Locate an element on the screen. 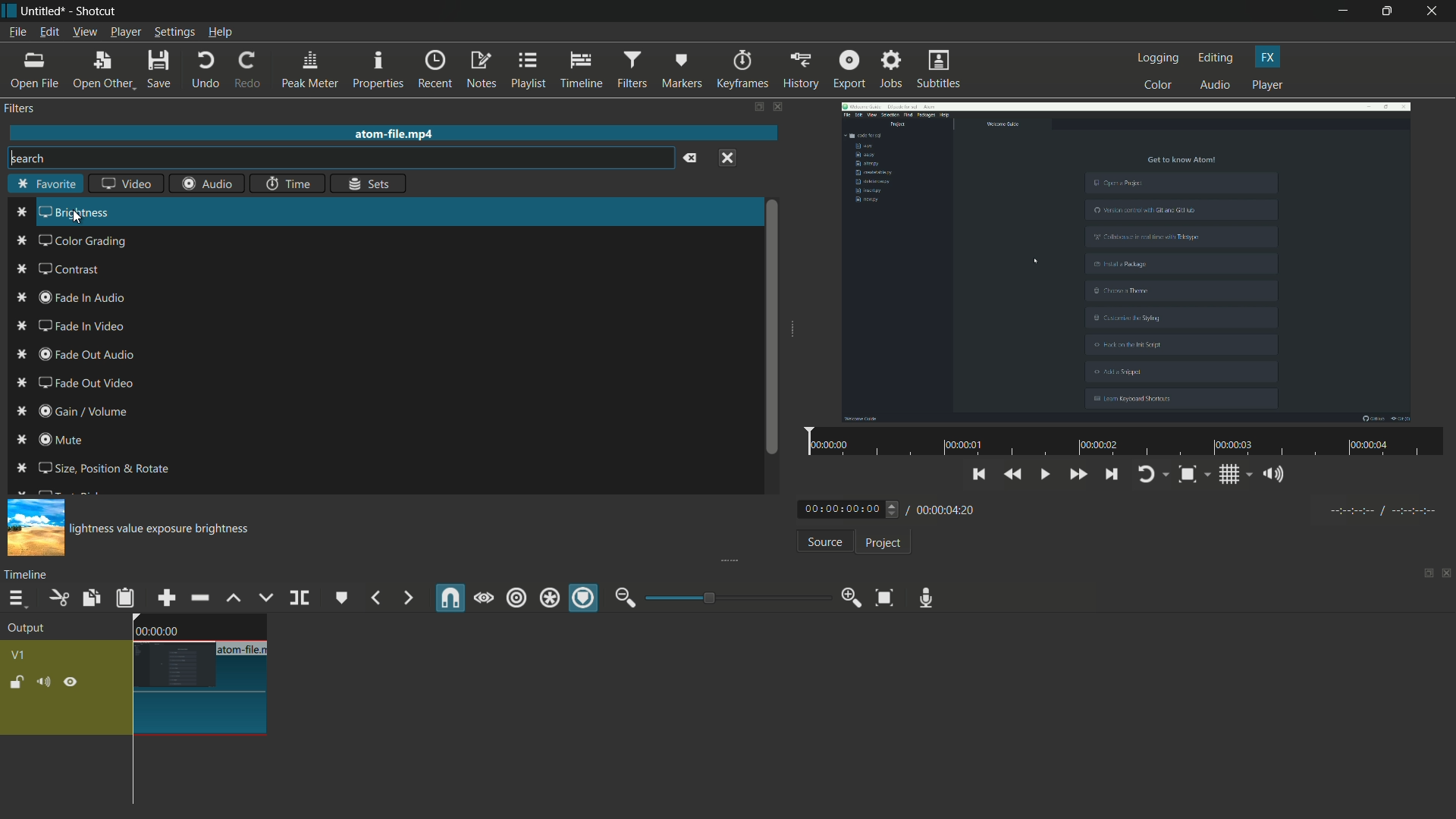  next marker is located at coordinates (406, 598).